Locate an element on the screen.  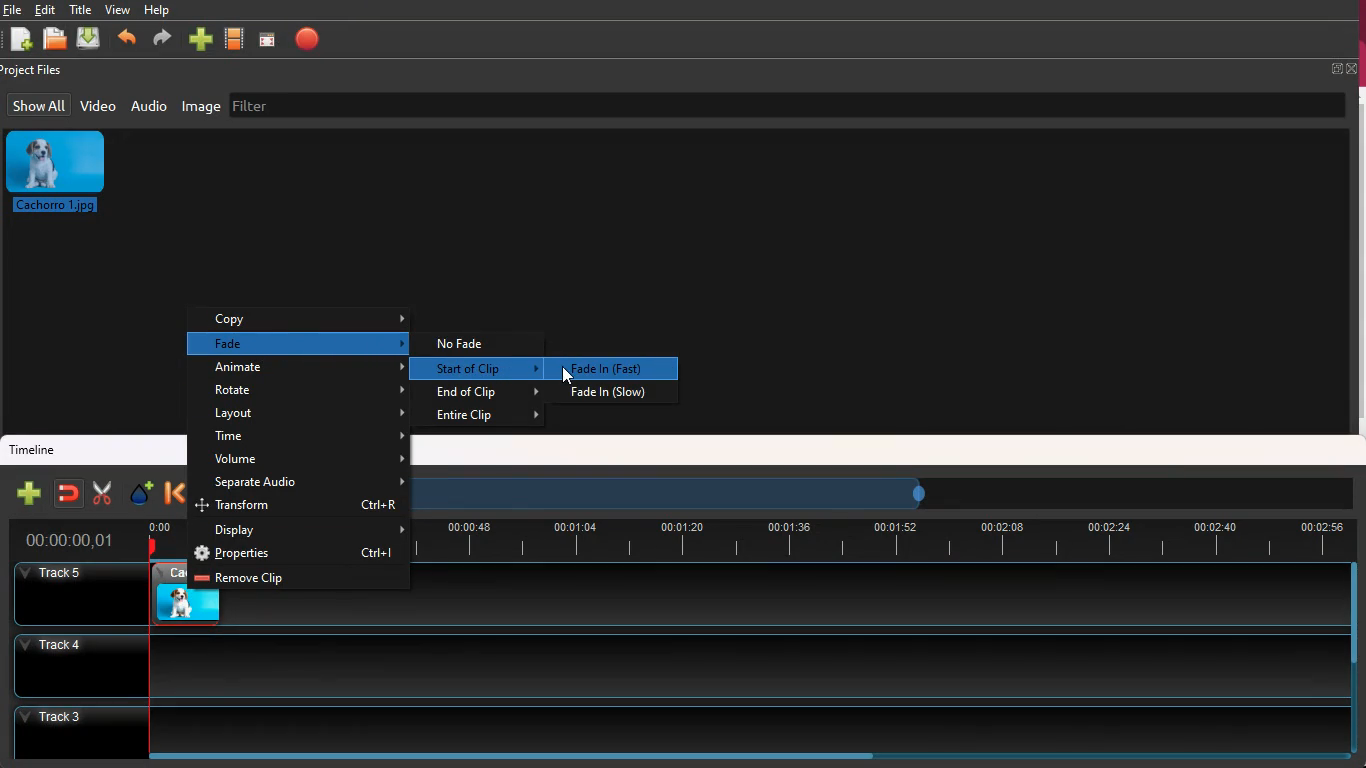
time is located at coordinates (309, 437).